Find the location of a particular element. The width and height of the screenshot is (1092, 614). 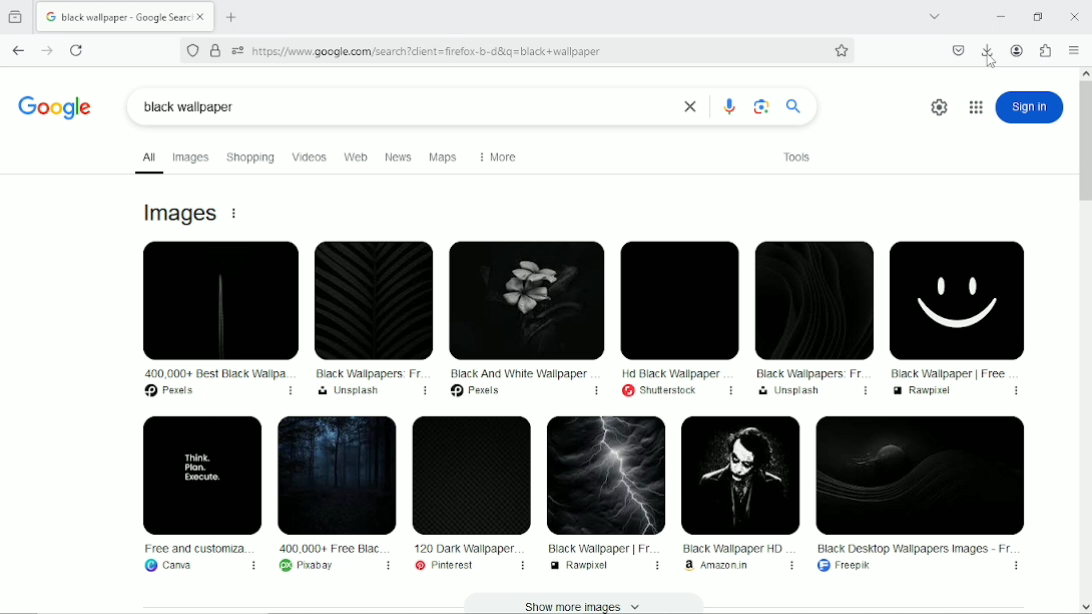

Images is located at coordinates (190, 157).